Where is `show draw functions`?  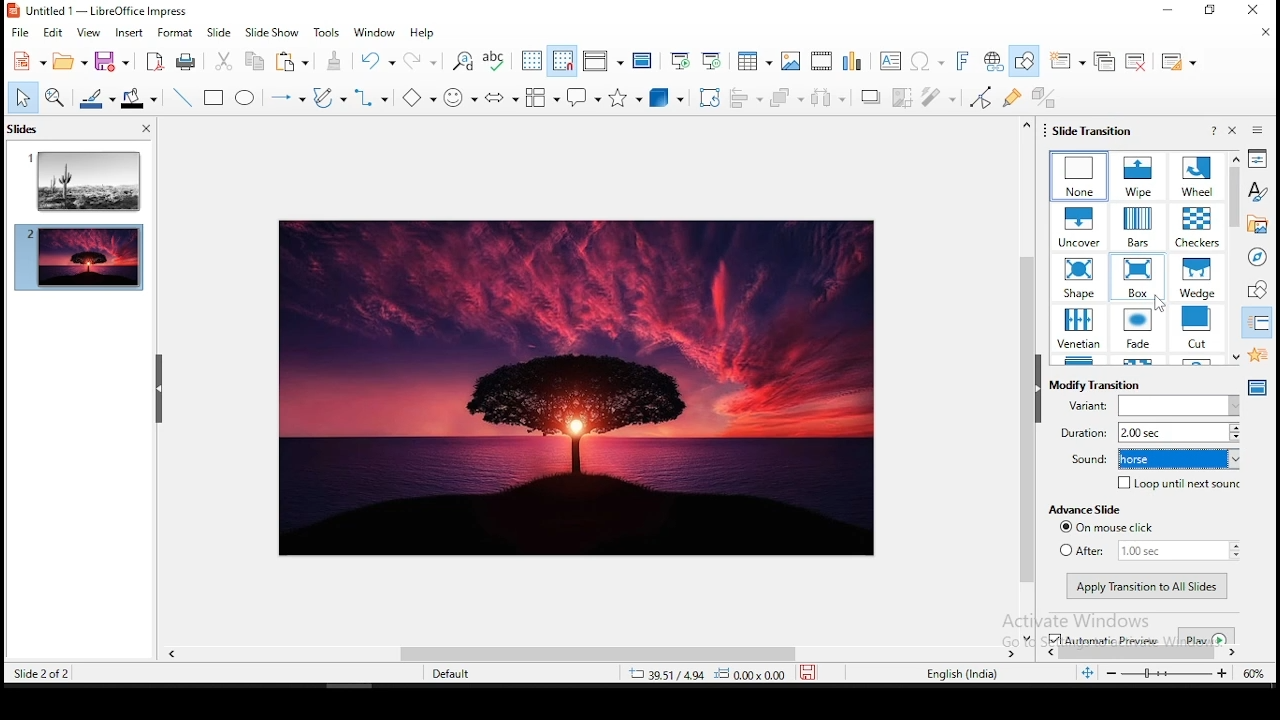 show draw functions is located at coordinates (1023, 62).